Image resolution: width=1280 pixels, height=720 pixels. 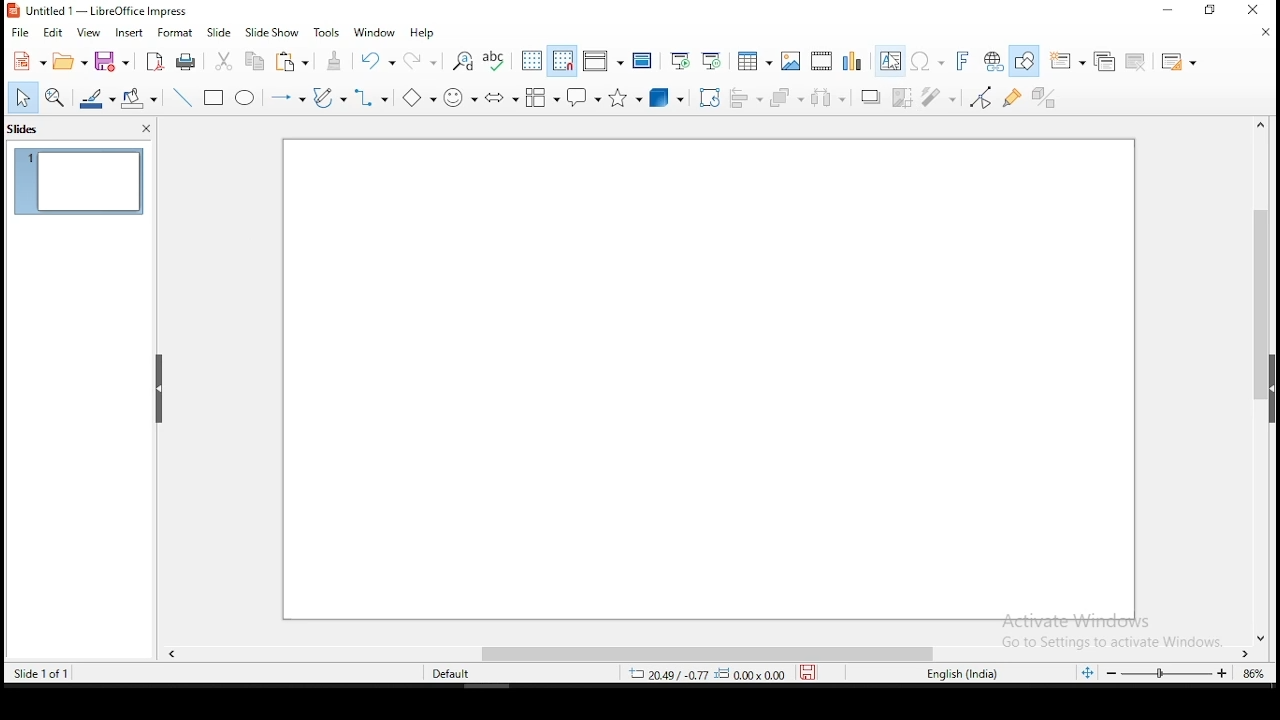 What do you see at coordinates (421, 99) in the screenshot?
I see `basic shapes` at bounding box center [421, 99].